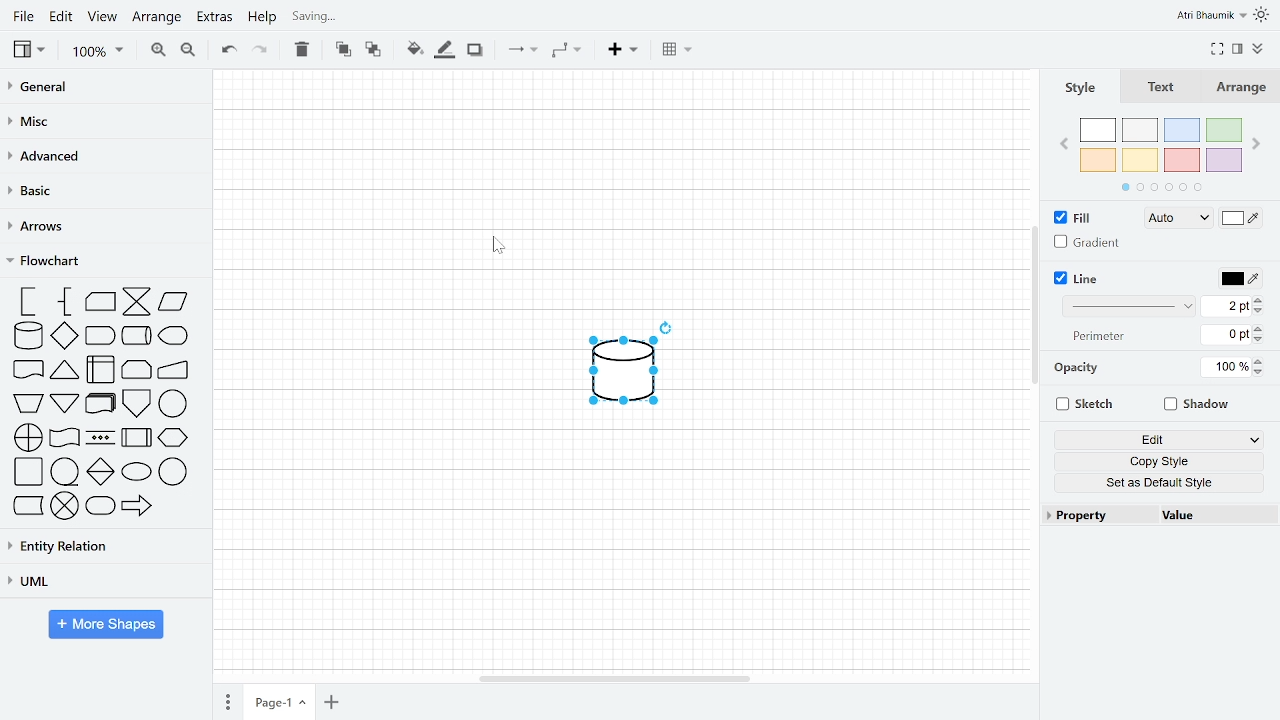 The width and height of the screenshot is (1280, 720). Describe the element at coordinates (1169, 186) in the screenshot. I see `pages in colors` at that location.